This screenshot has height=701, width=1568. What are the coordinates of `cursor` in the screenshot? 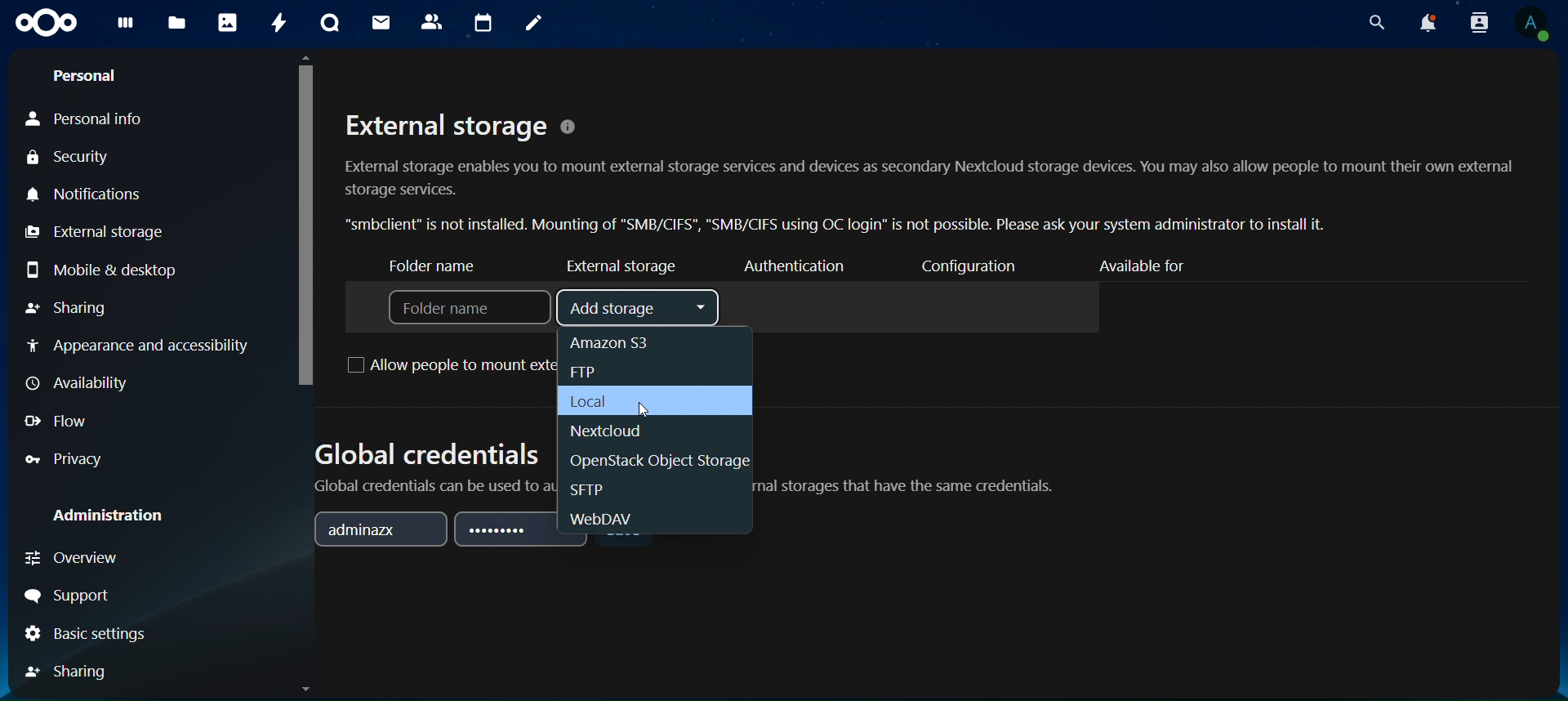 It's located at (647, 409).